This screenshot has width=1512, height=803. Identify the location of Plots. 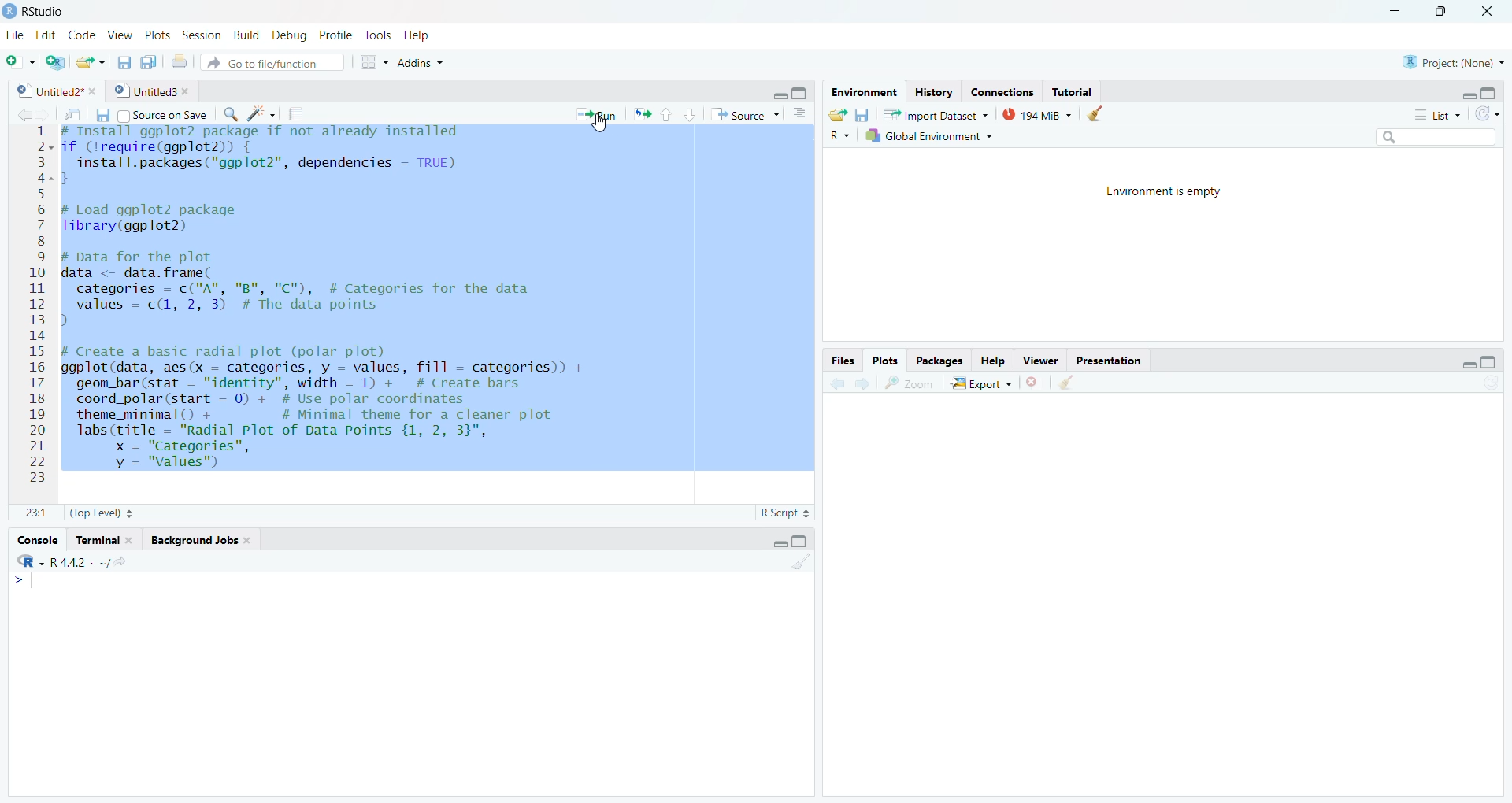
(155, 36).